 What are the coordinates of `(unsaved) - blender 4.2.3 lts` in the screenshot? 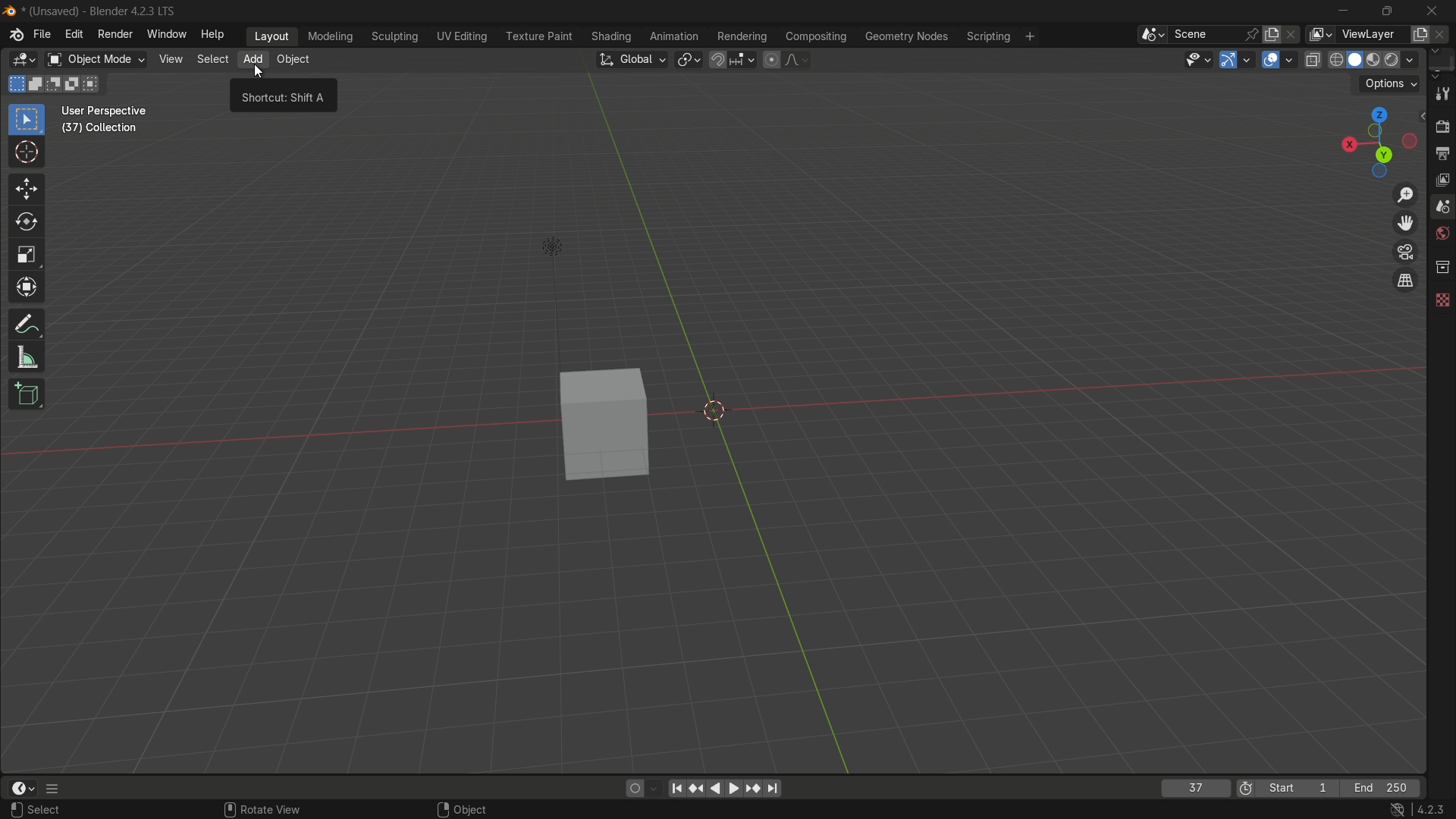 It's located at (105, 11).